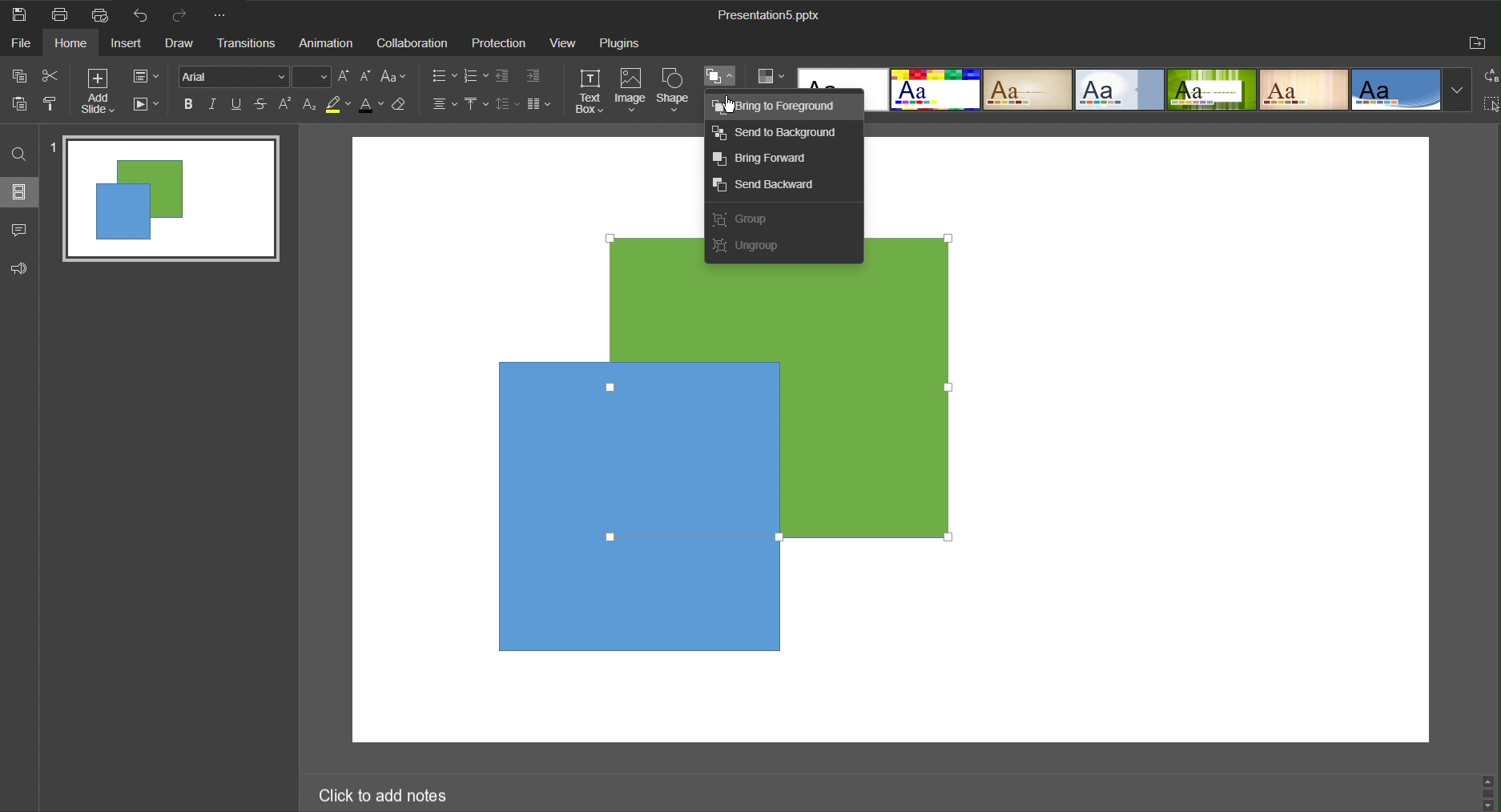 The image size is (1501, 812). I want to click on increase Font Size, so click(346, 78).